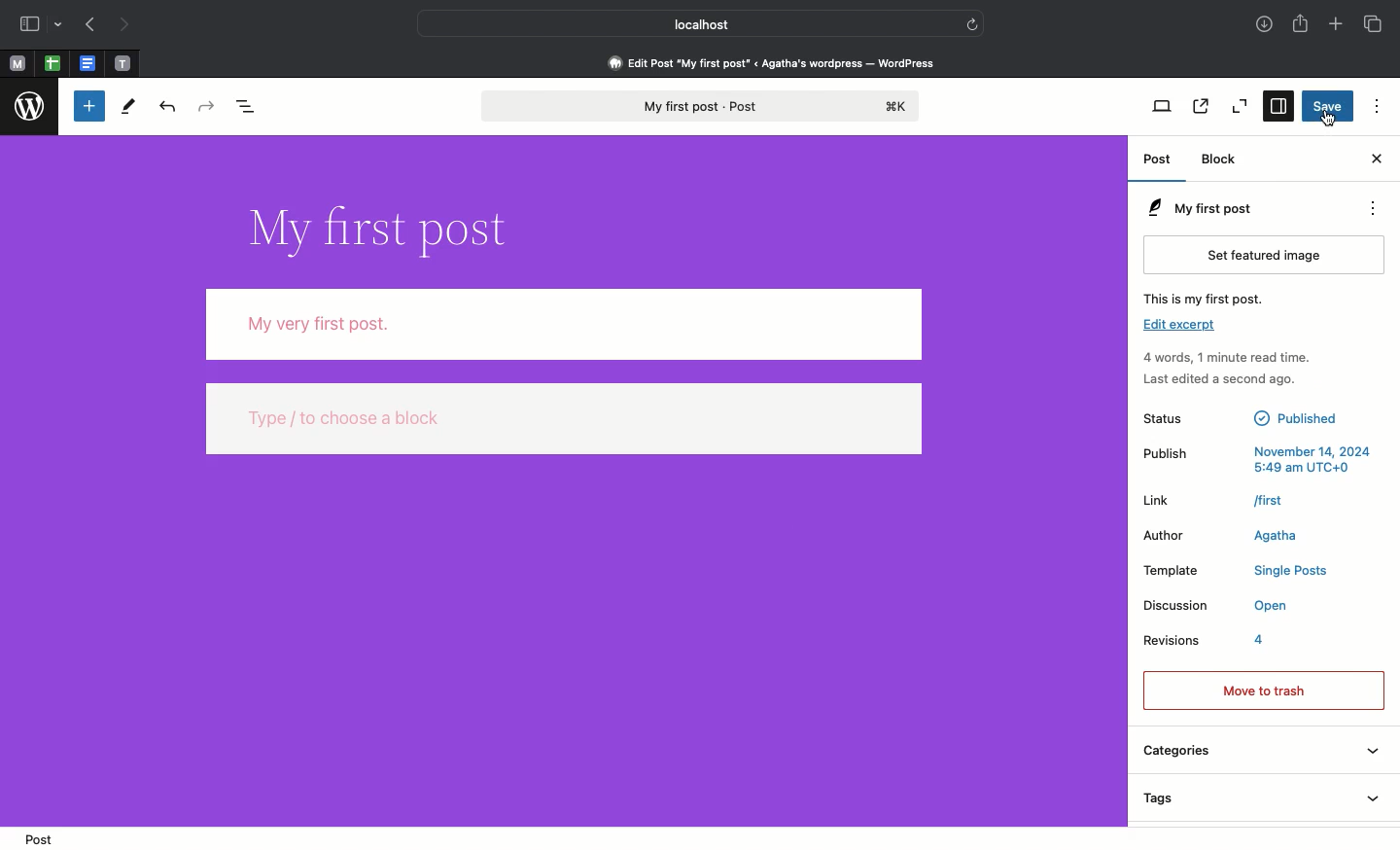 The height and width of the screenshot is (850, 1400). Describe the element at coordinates (37, 837) in the screenshot. I see `Post` at that location.